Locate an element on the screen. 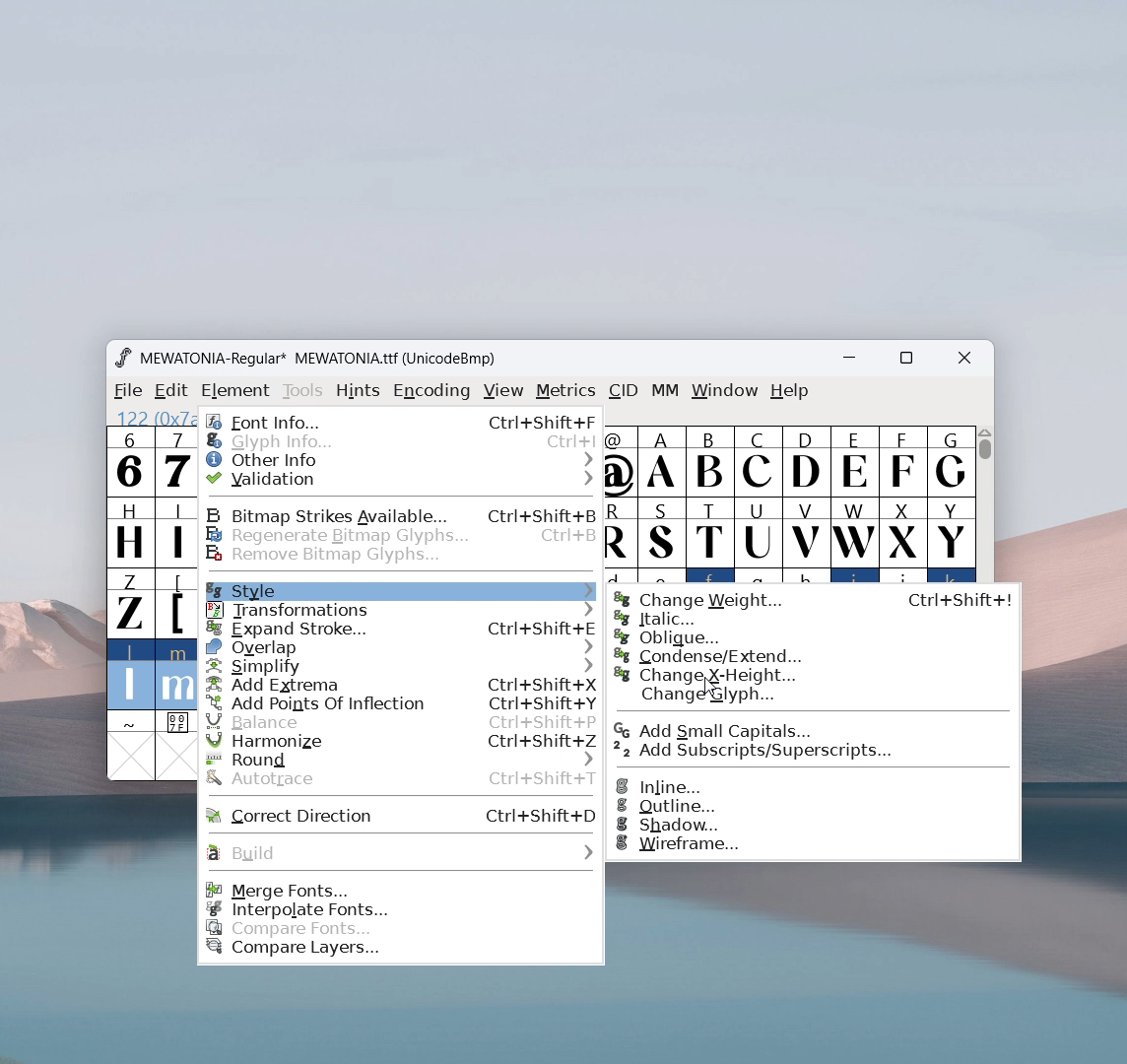 The height and width of the screenshot is (1064, 1127). 0 0 7 F is located at coordinates (177, 725).